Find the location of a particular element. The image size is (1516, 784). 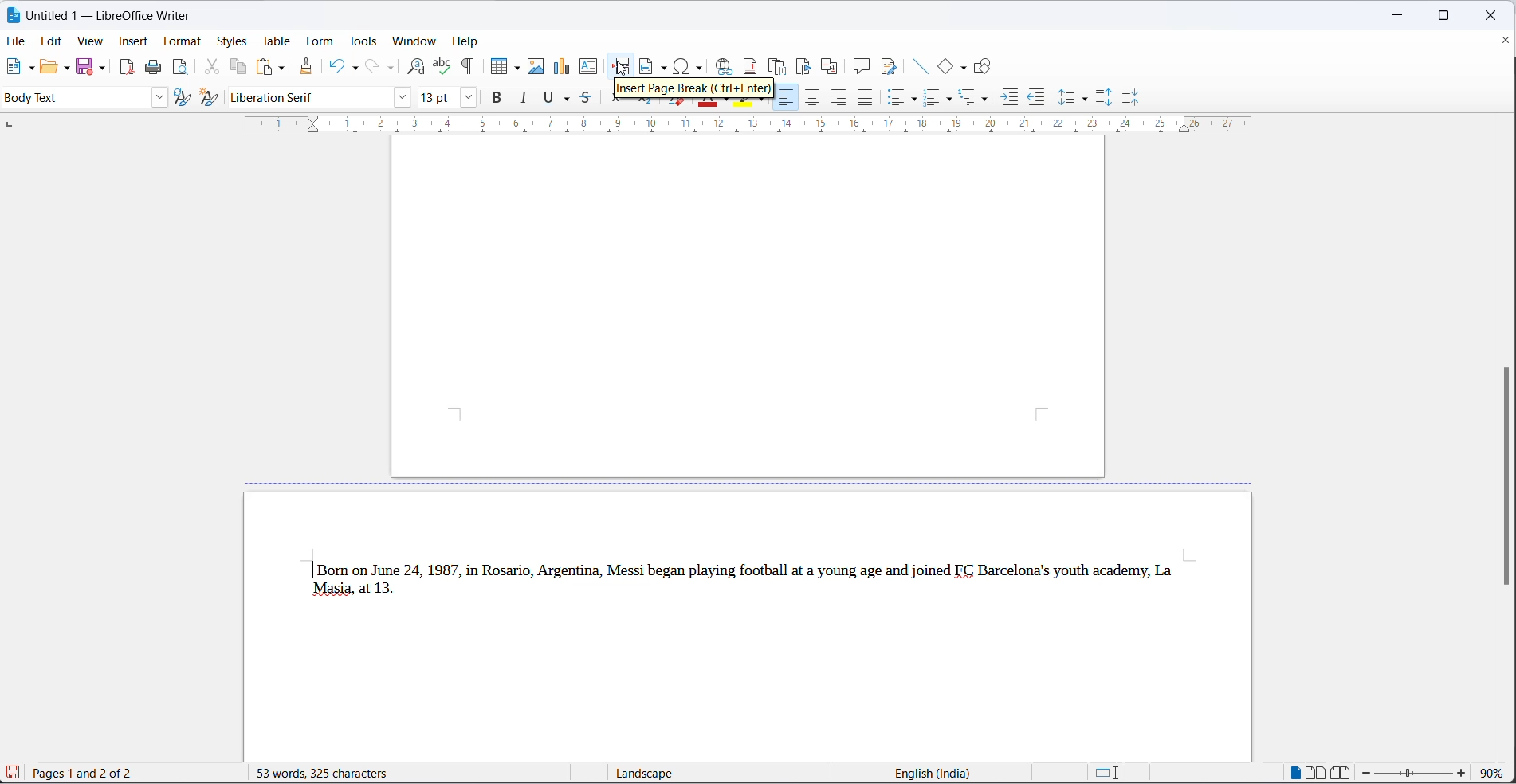

redo option is located at coordinates (393, 69).